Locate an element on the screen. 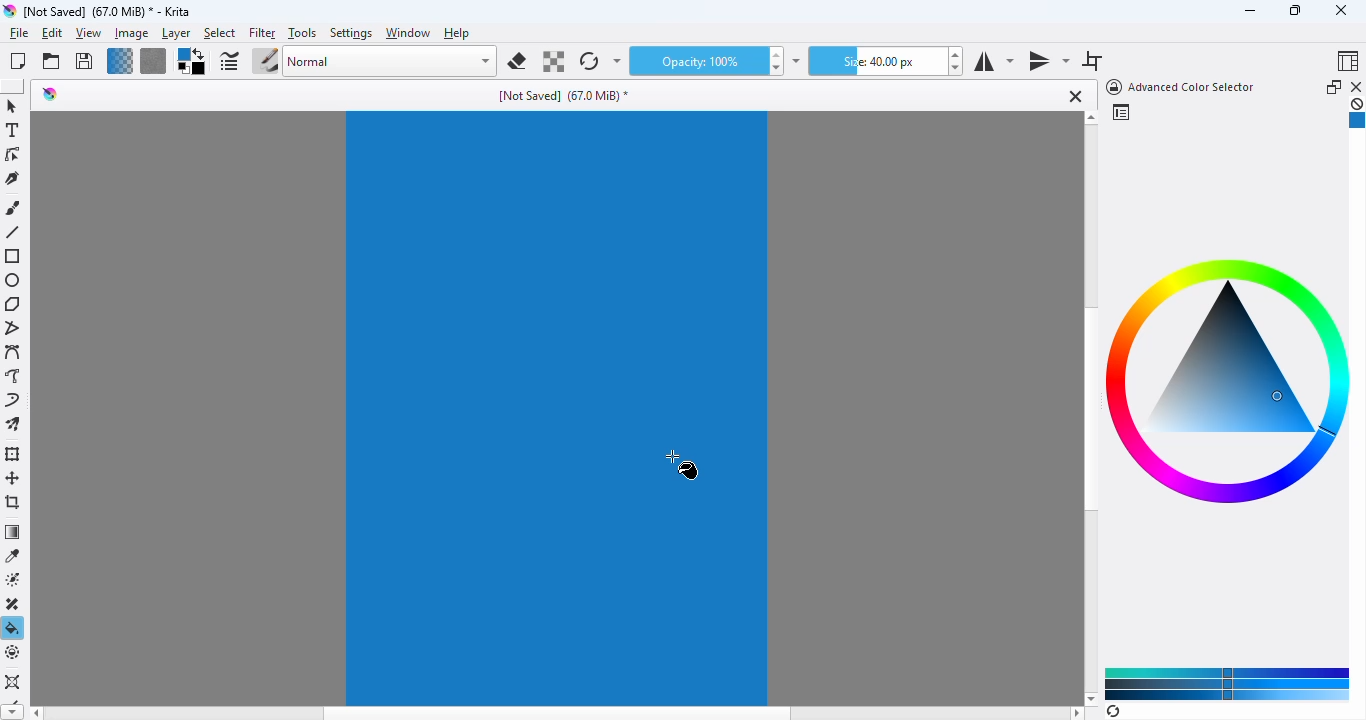 This screenshot has height=720, width=1366. freehand brush tool is located at coordinates (14, 208).